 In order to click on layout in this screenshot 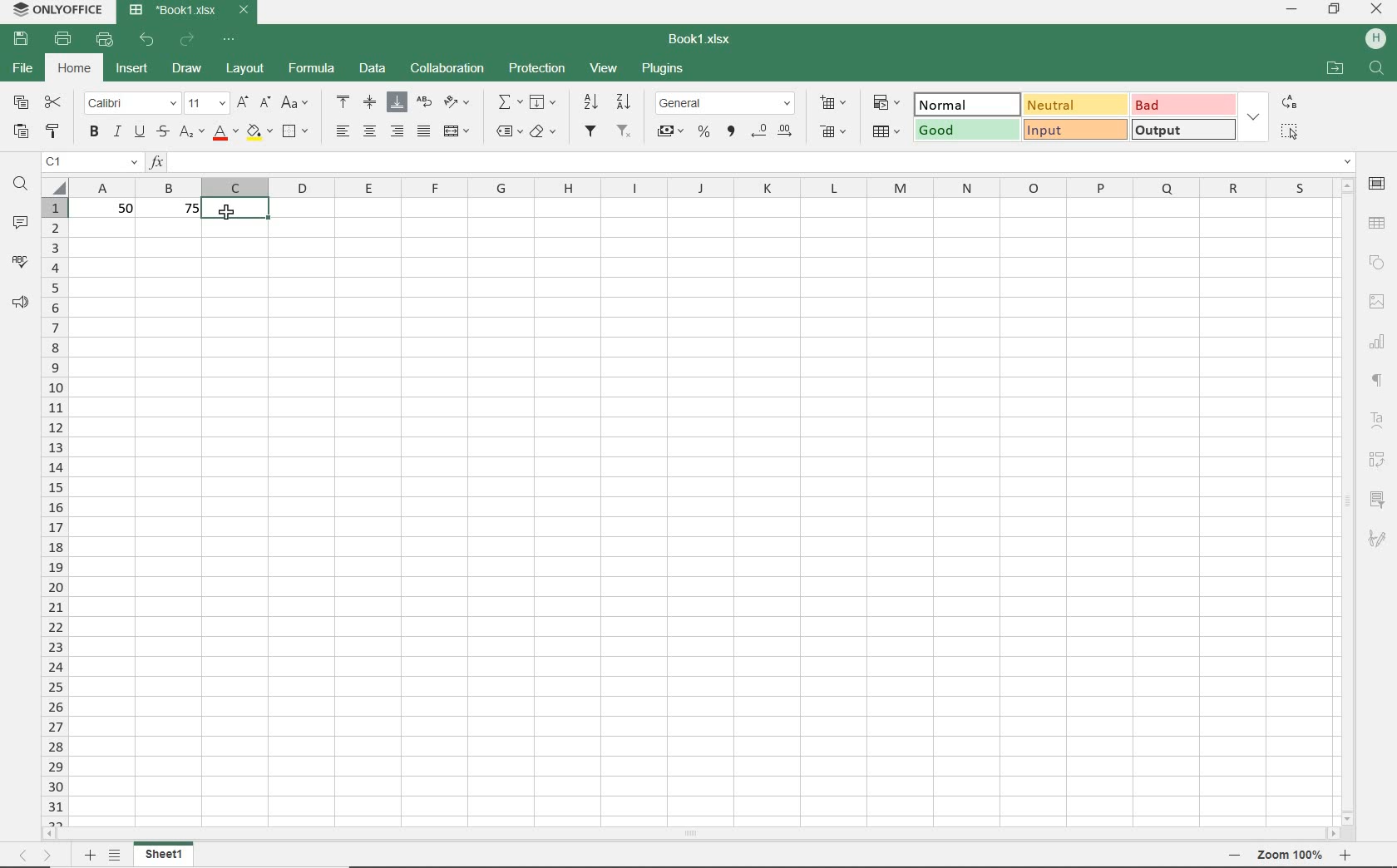, I will do `click(243, 69)`.